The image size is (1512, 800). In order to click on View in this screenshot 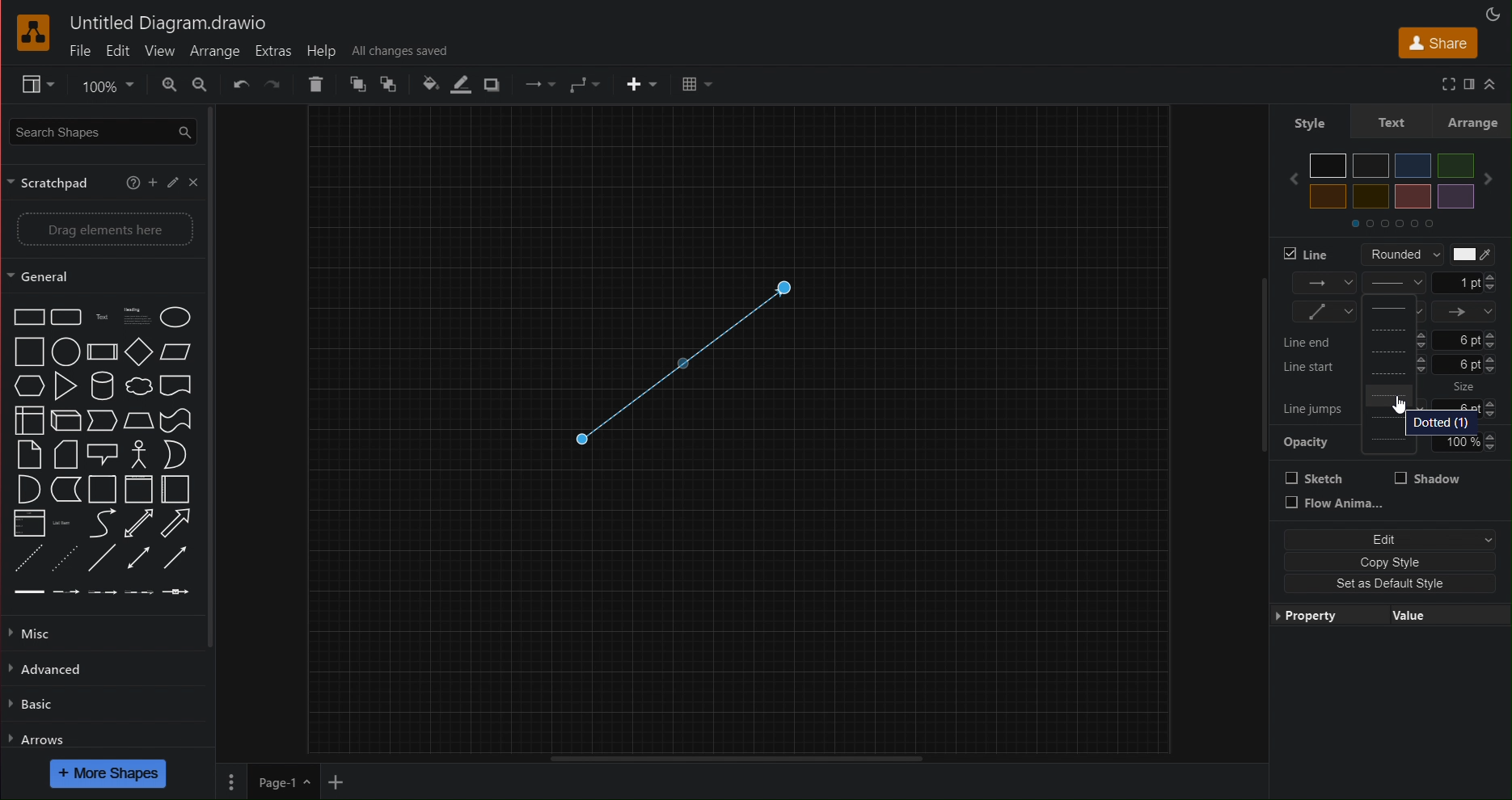, I will do `click(29, 85)`.